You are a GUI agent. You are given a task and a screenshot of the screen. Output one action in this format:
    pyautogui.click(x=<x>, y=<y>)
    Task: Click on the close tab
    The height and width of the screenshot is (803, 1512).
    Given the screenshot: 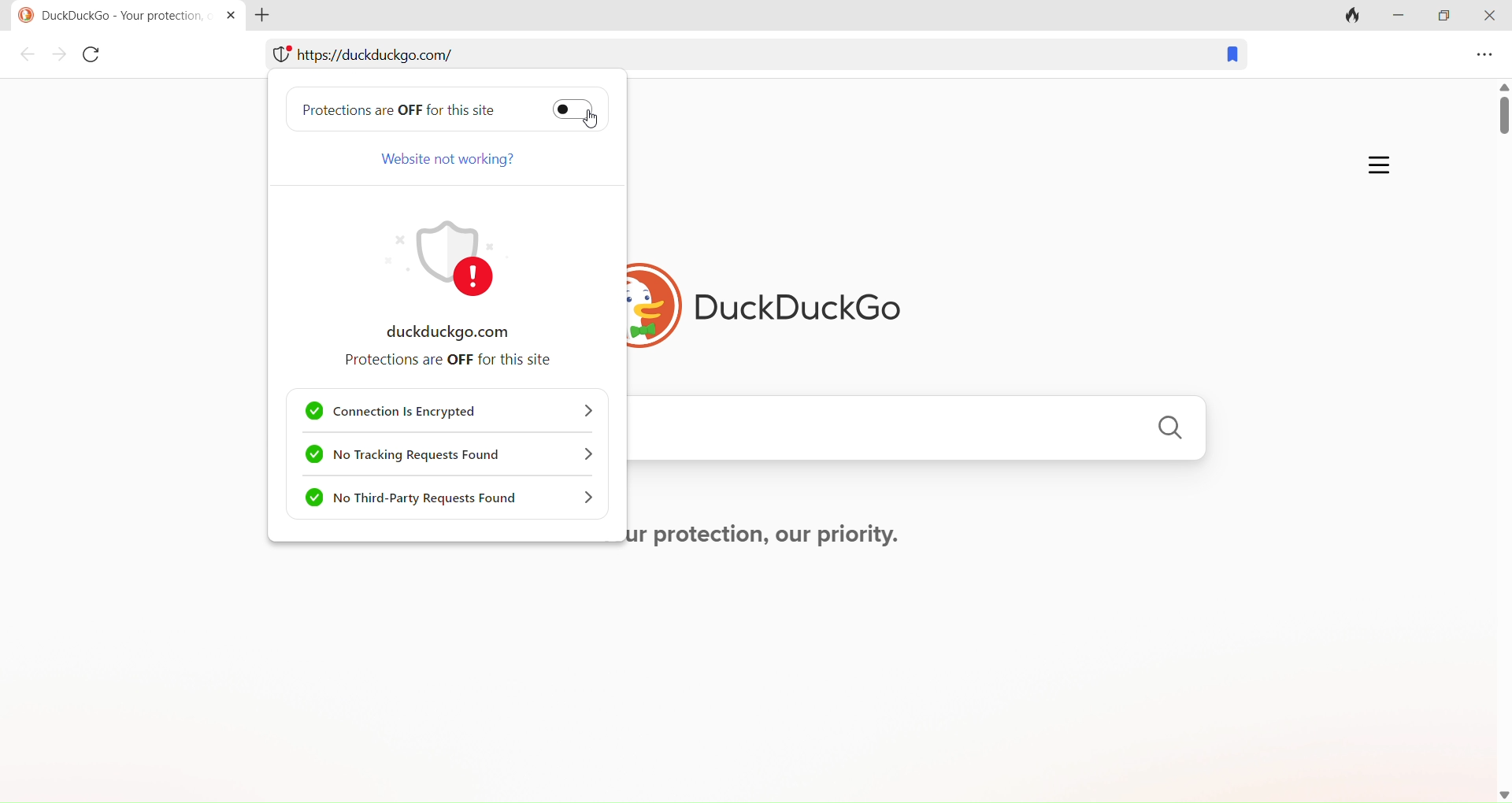 What is the action you would take?
    pyautogui.click(x=228, y=14)
    